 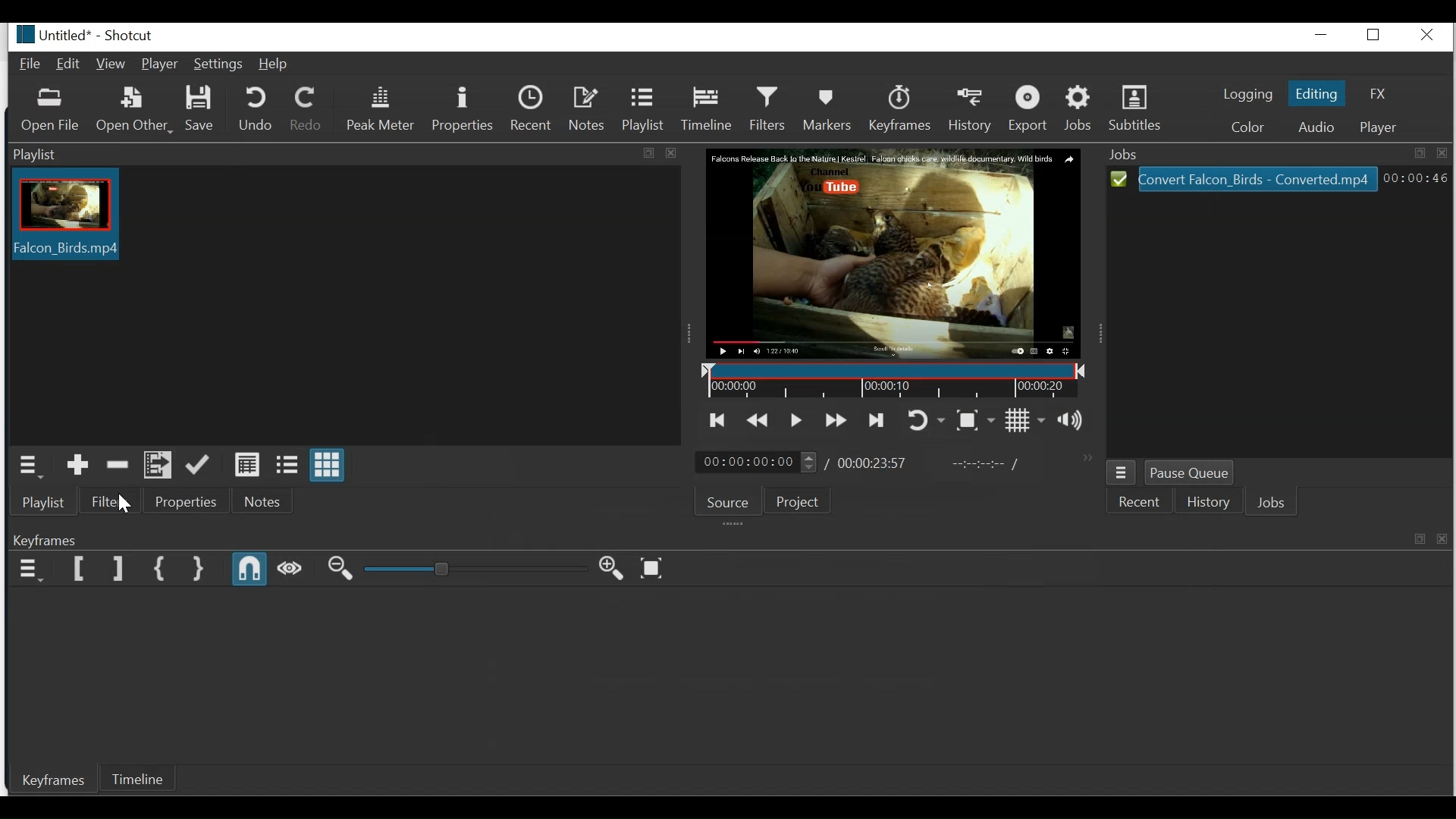 What do you see at coordinates (1323, 36) in the screenshot?
I see `Minimize` at bounding box center [1323, 36].